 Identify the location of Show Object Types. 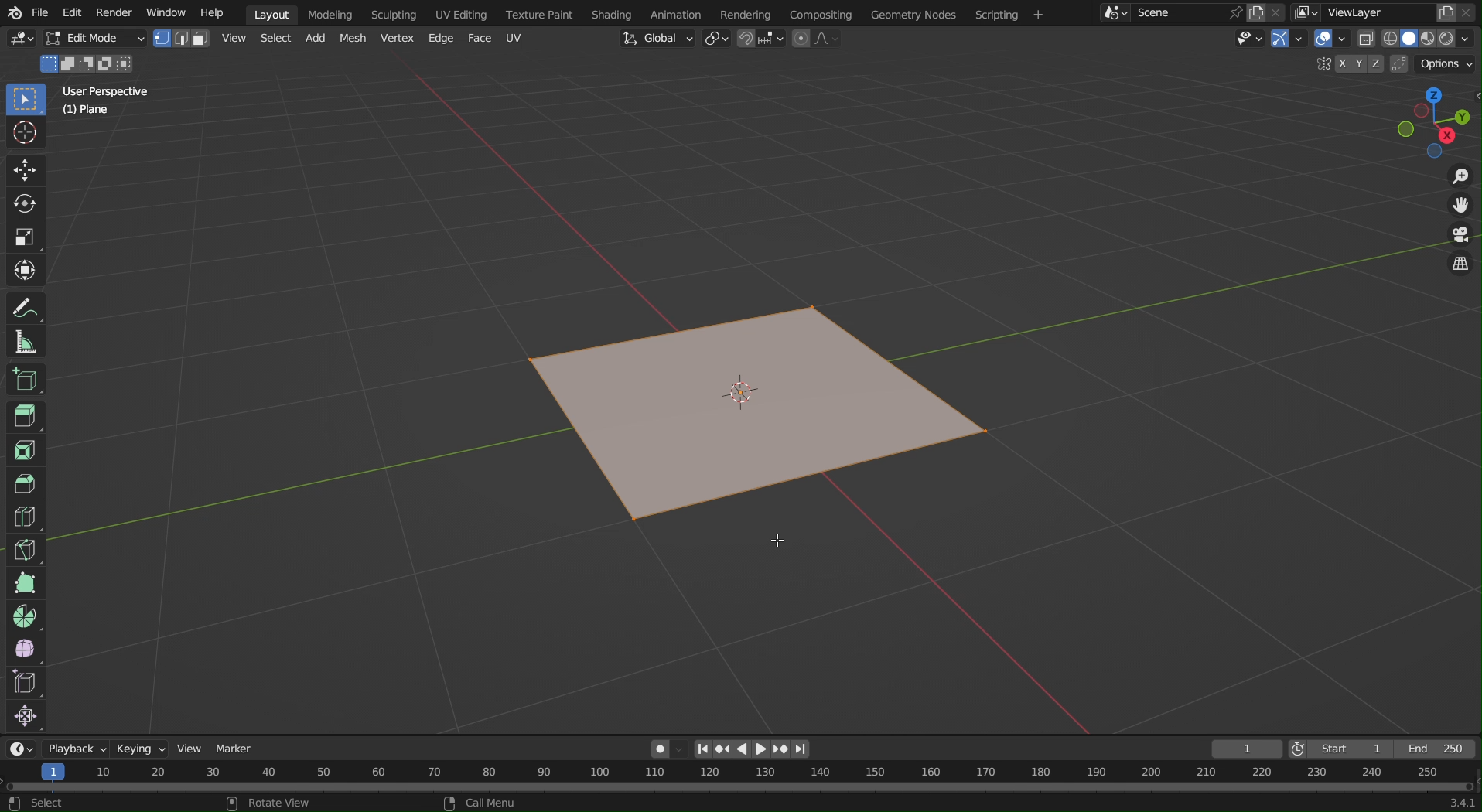
(1251, 40).